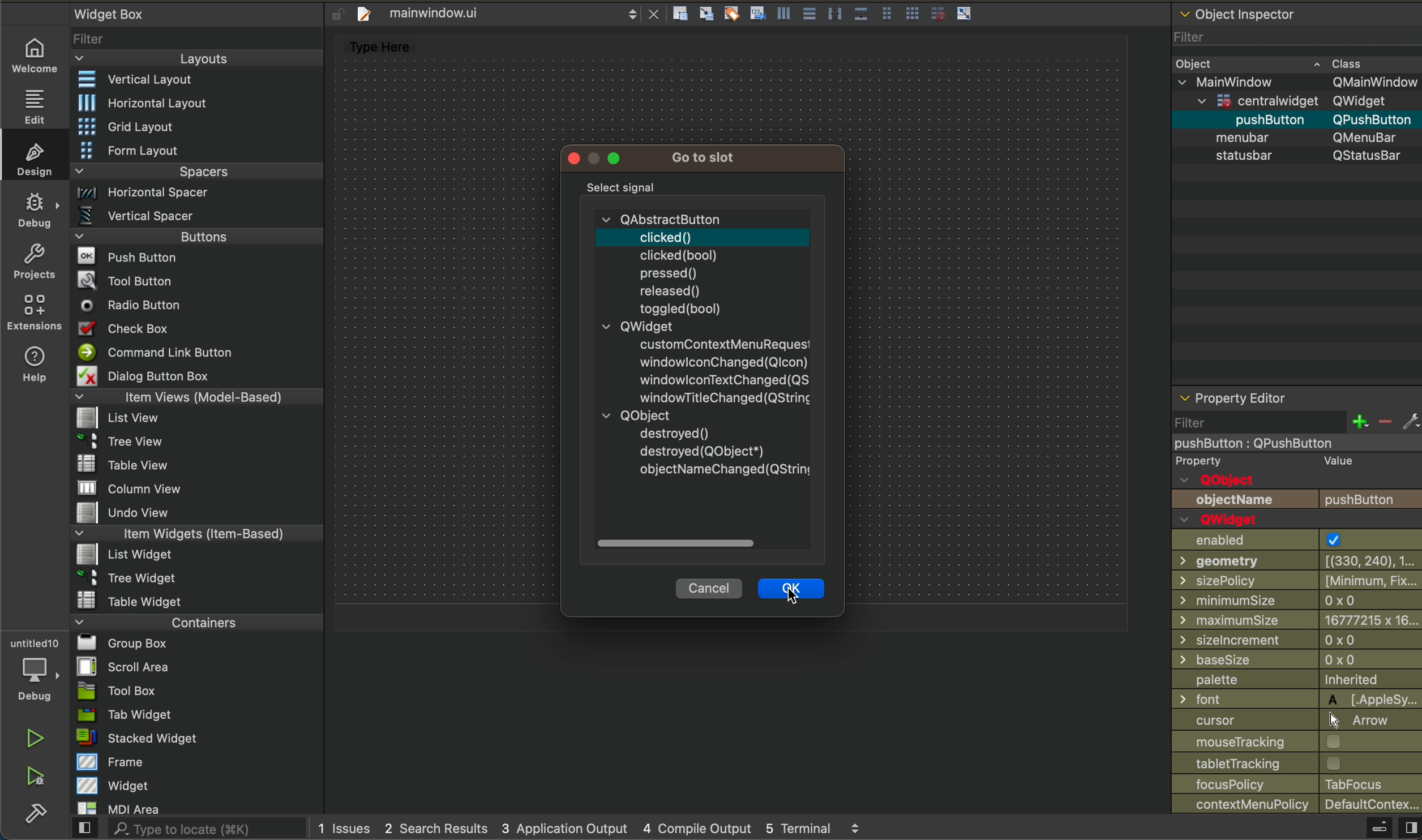 This screenshot has height=840, width=1422. Describe the element at coordinates (194, 602) in the screenshot. I see `table` at that location.